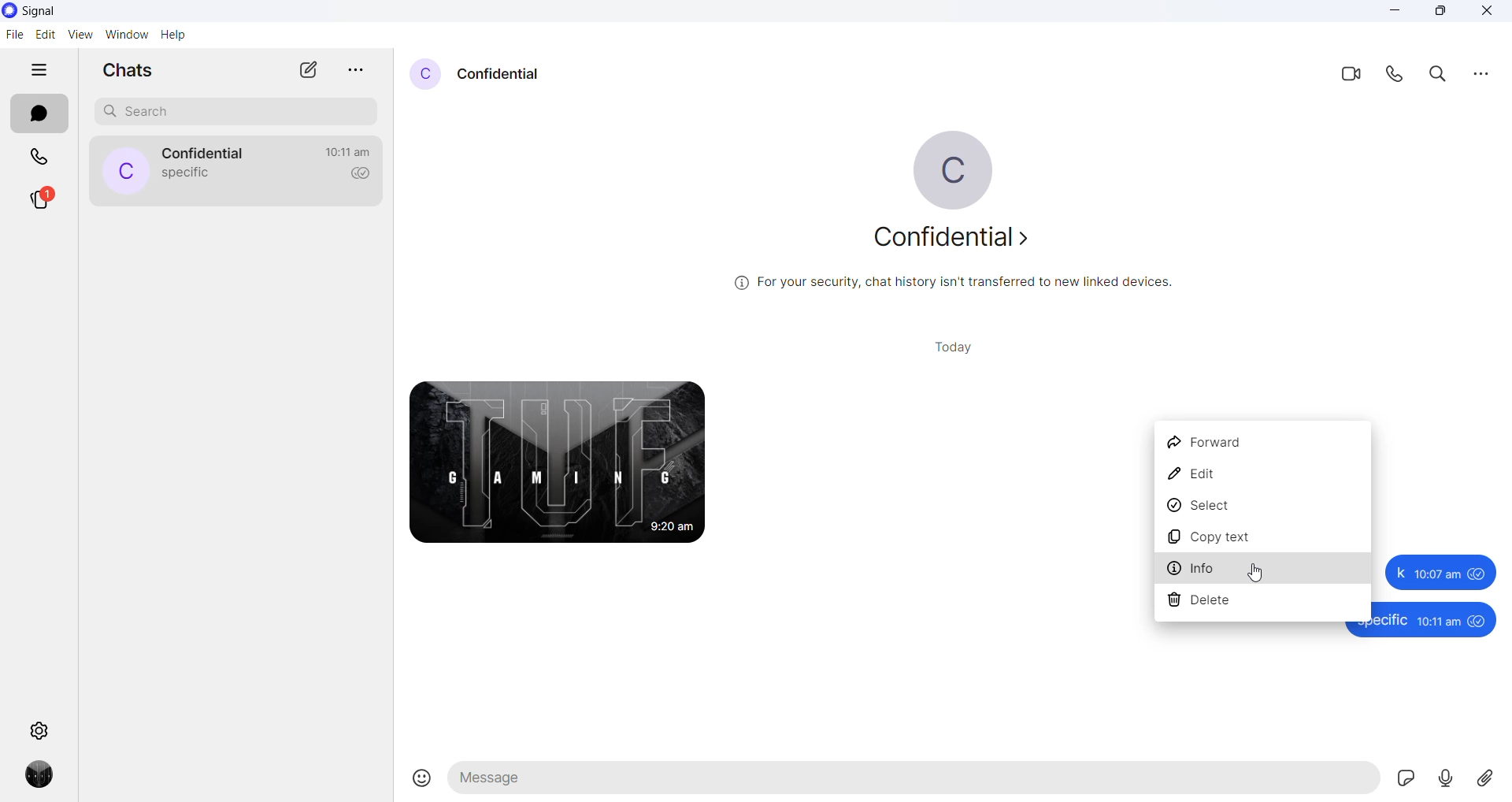 The image size is (1512, 802). I want to click on forward, so click(1260, 442).